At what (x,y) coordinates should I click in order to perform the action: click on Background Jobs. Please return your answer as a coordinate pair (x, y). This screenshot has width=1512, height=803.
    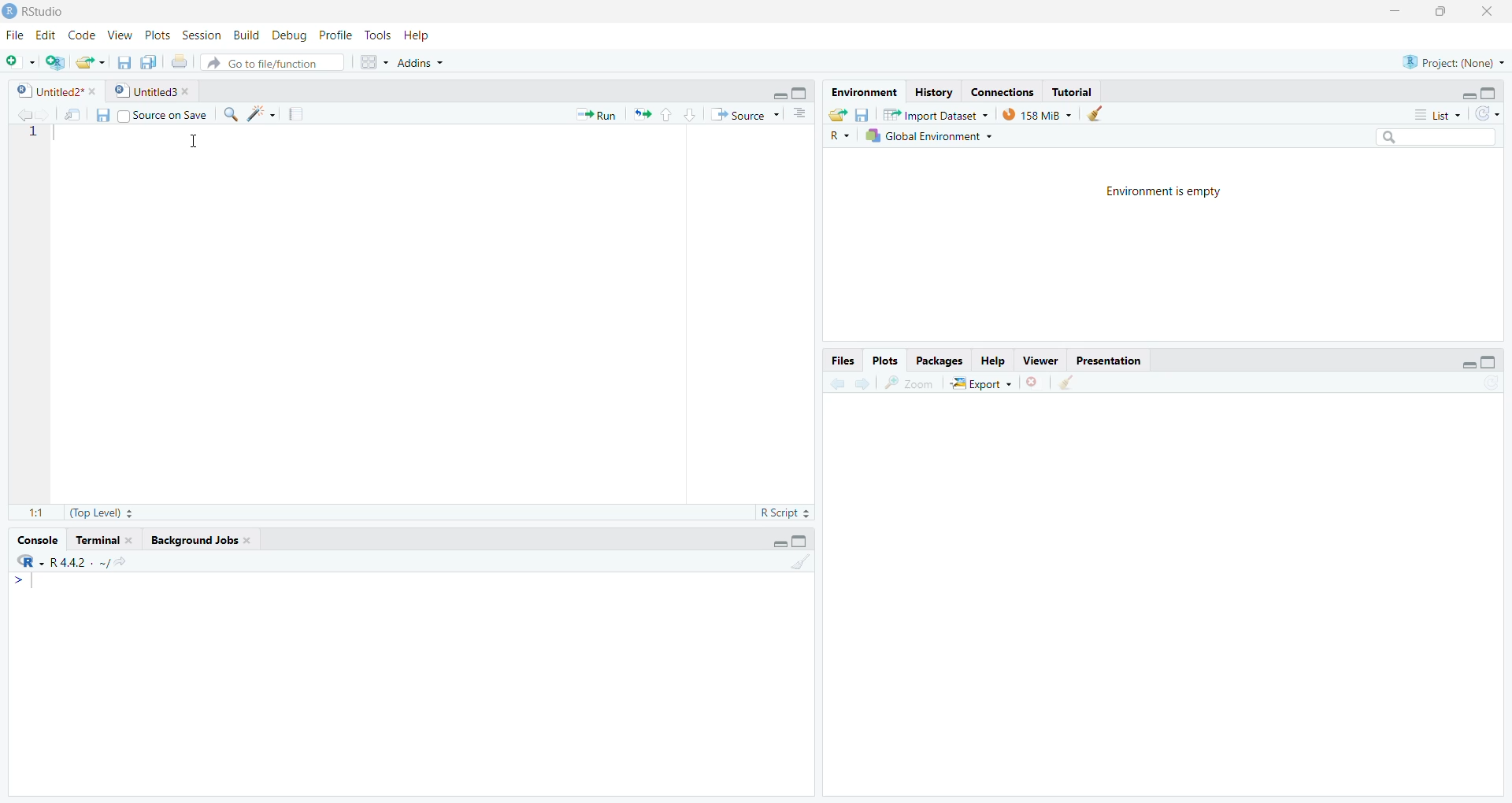
    Looking at the image, I should click on (216, 541).